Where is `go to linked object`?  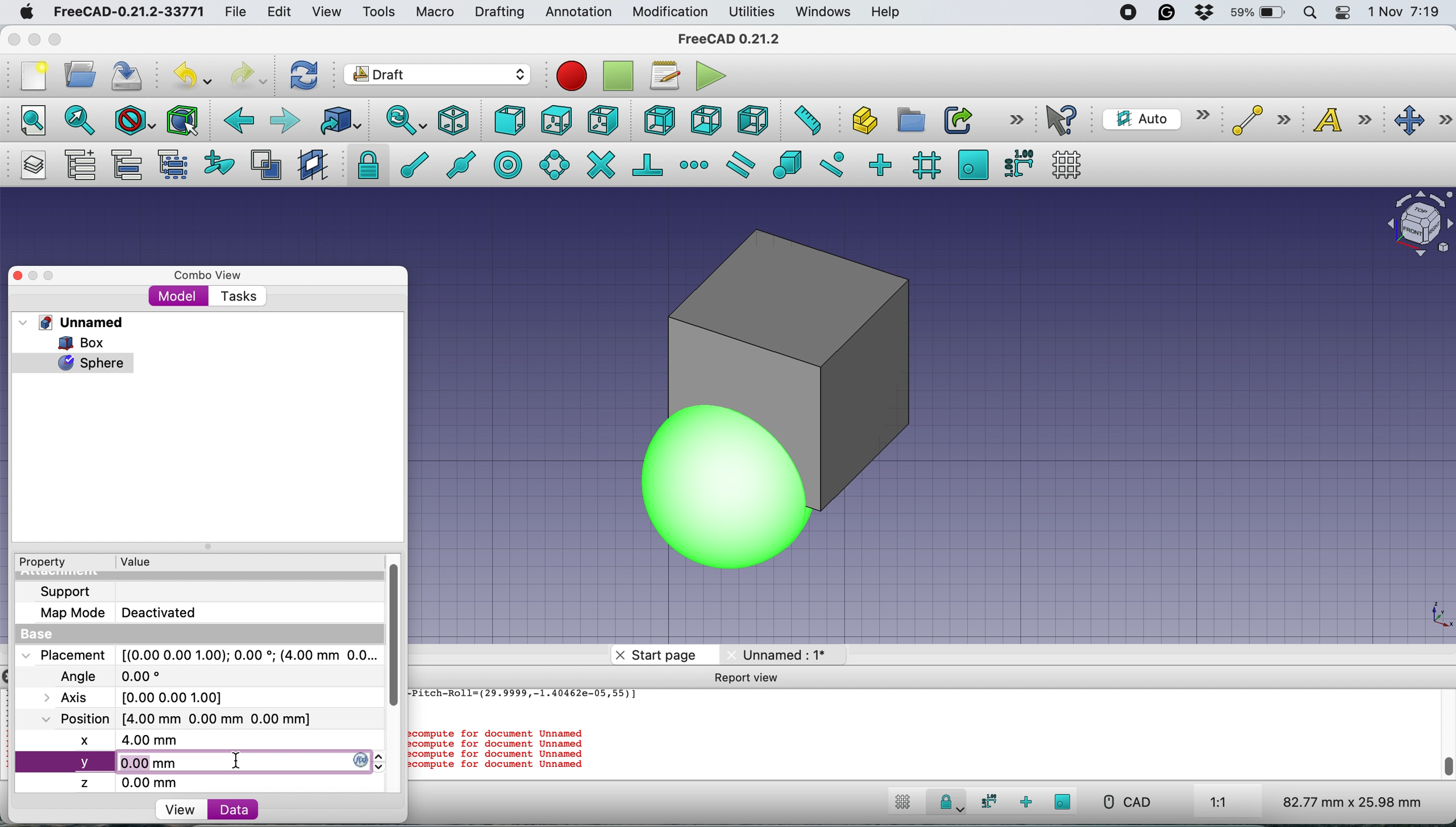
go to linked object is located at coordinates (340, 120).